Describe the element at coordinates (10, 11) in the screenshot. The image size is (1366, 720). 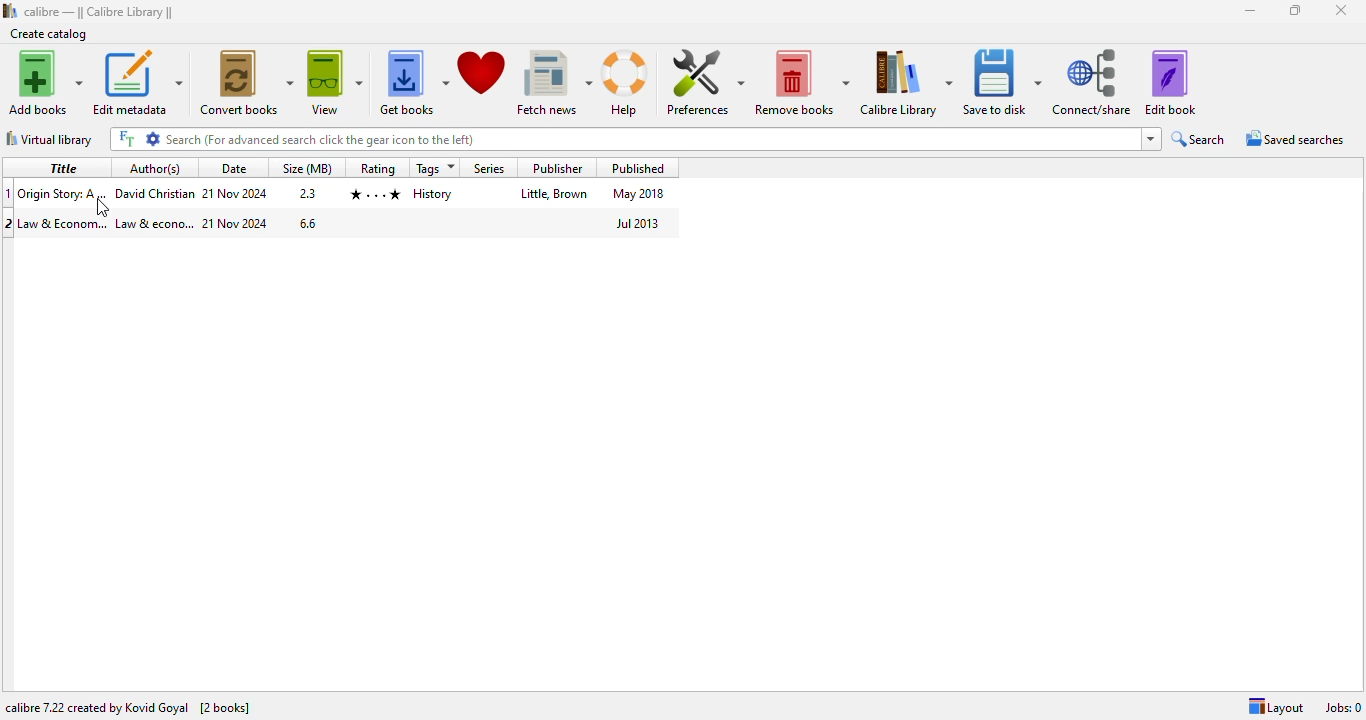
I see `logo` at that location.